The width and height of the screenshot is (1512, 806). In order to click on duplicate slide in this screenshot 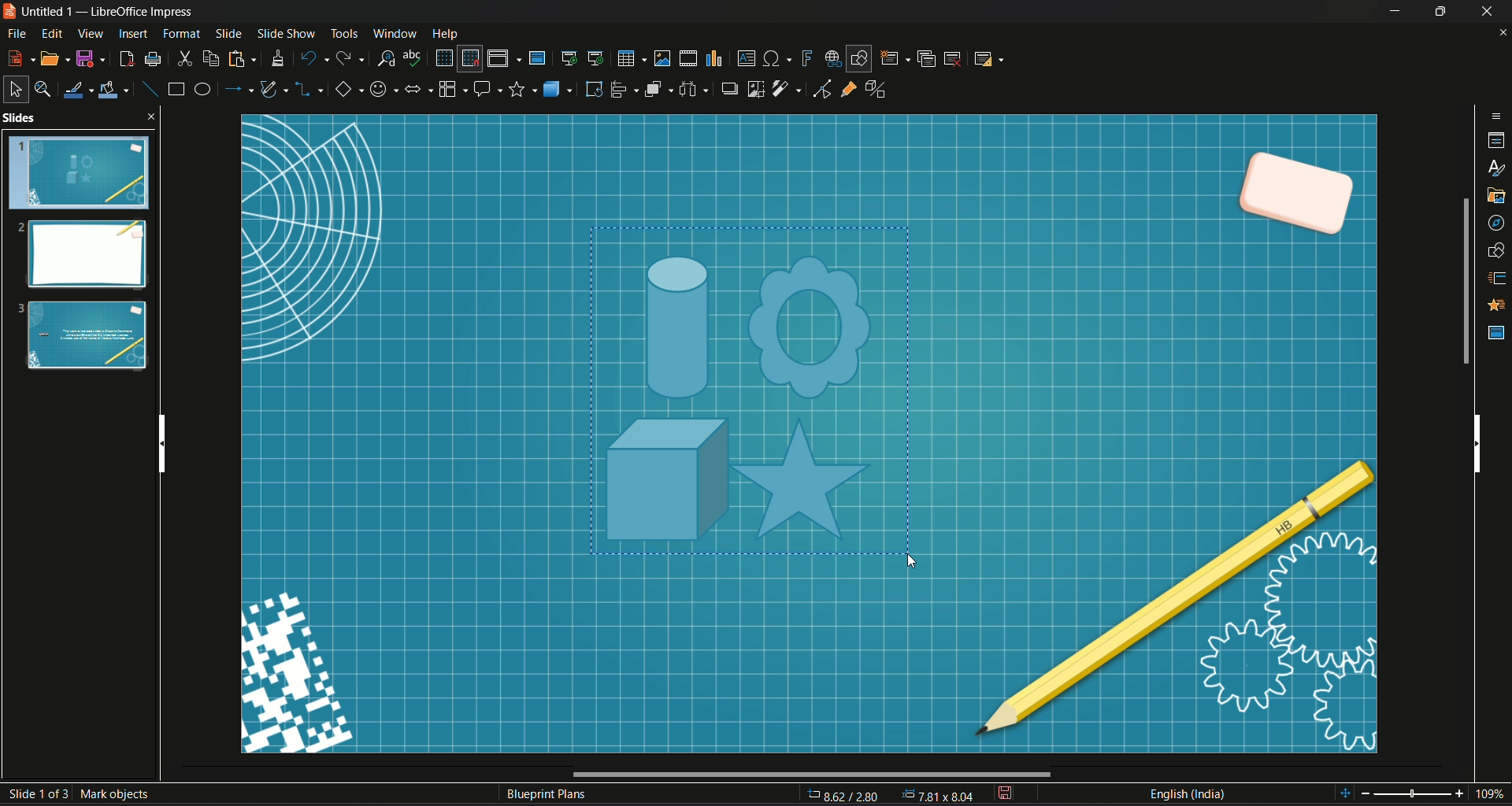, I will do `click(927, 58)`.